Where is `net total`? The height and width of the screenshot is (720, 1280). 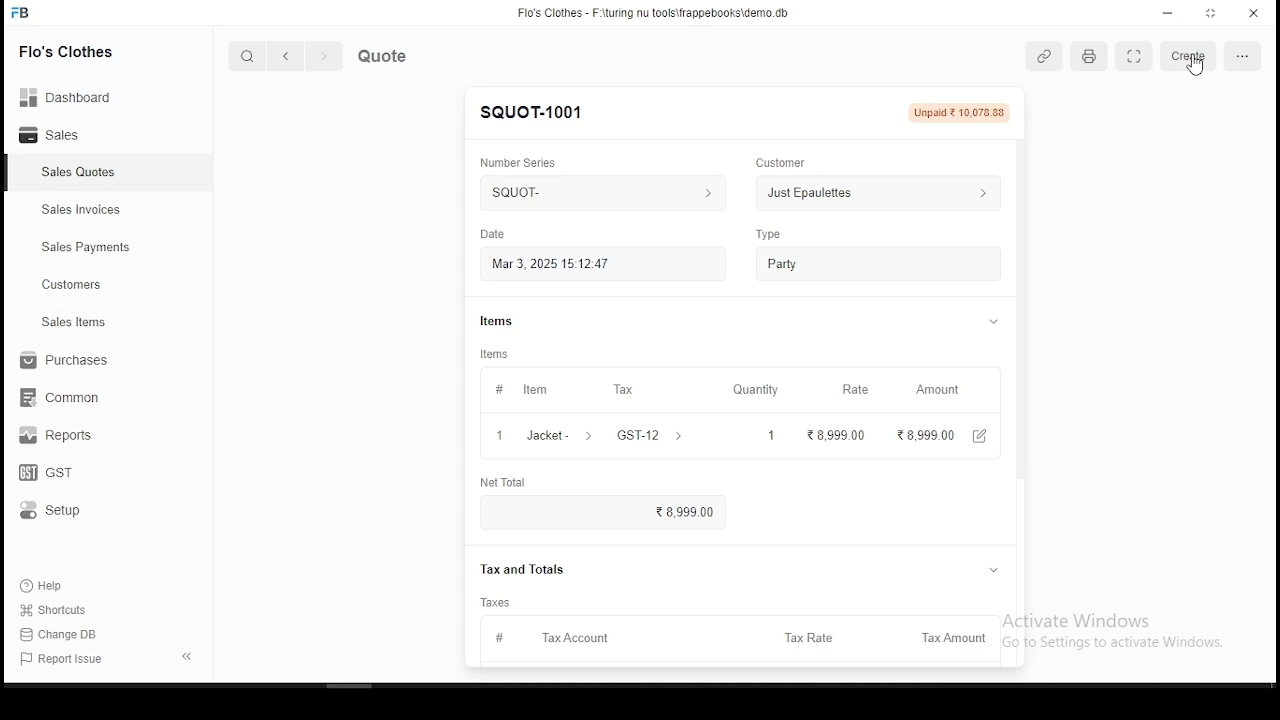 net total is located at coordinates (511, 482).